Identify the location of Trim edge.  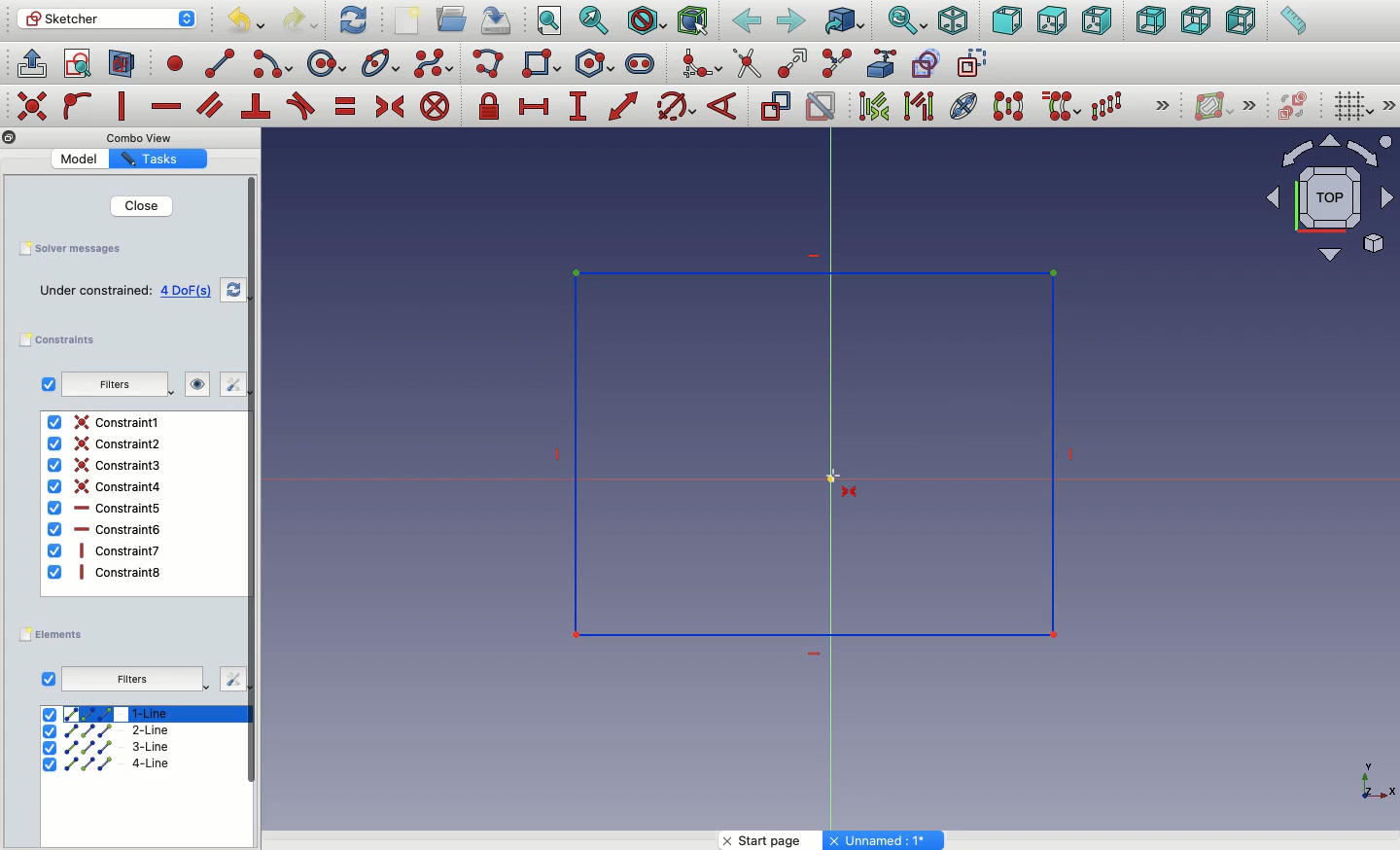
(748, 63).